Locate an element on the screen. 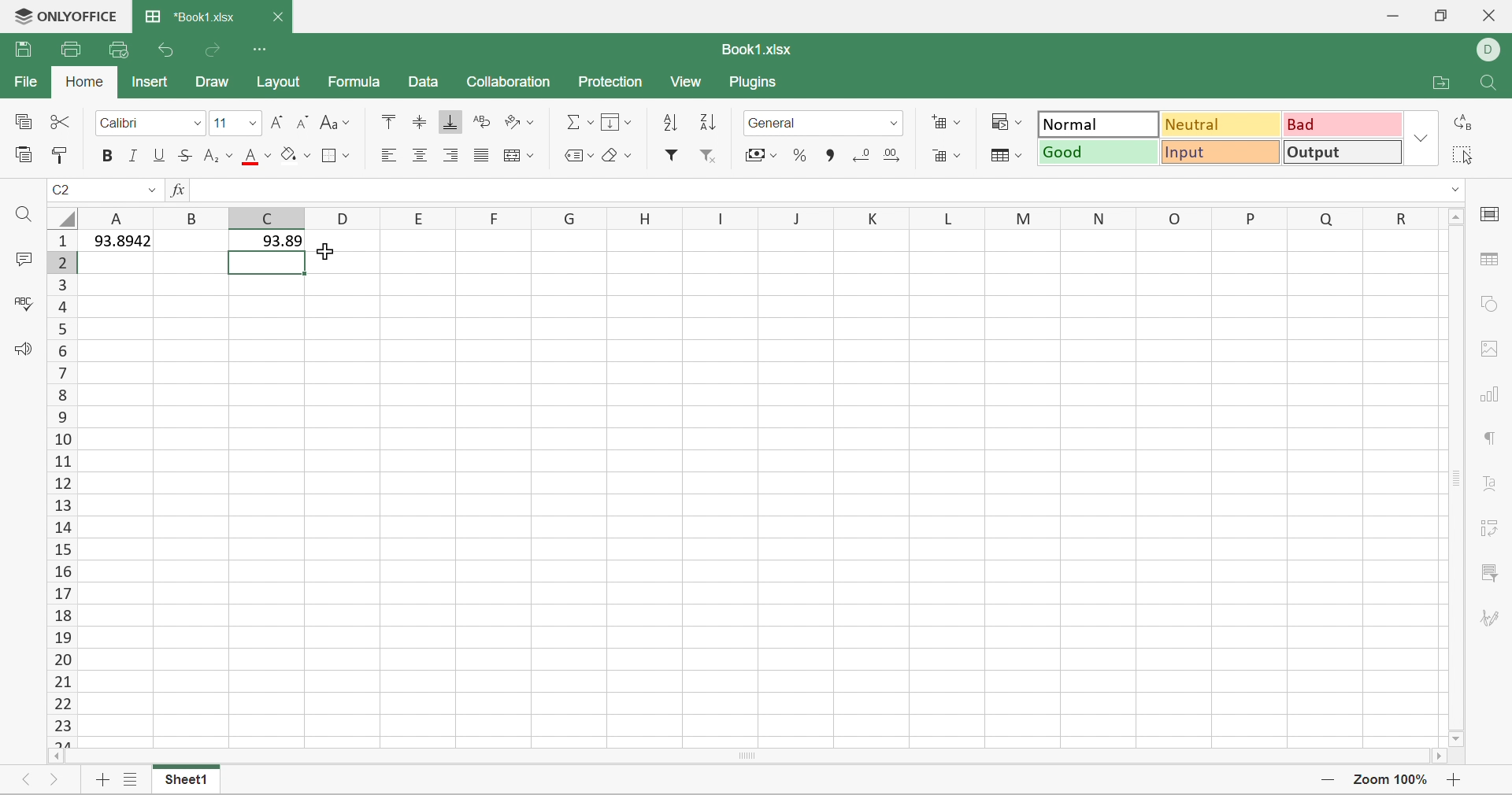 Image resolution: width=1512 pixels, height=795 pixels. Decrease decimal is located at coordinates (859, 152).